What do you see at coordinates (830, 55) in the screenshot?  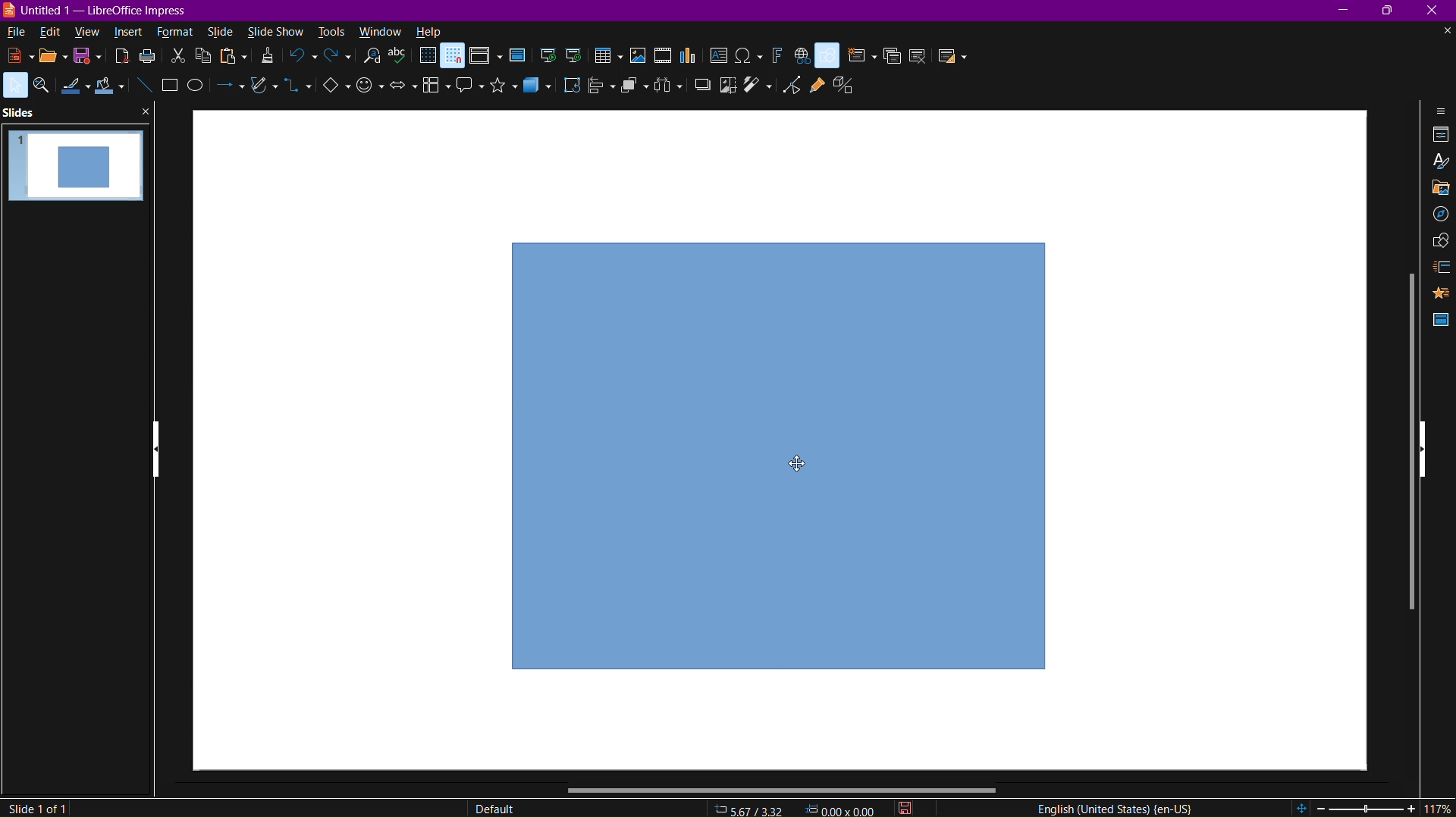 I see `Basic Shapes` at bounding box center [830, 55].